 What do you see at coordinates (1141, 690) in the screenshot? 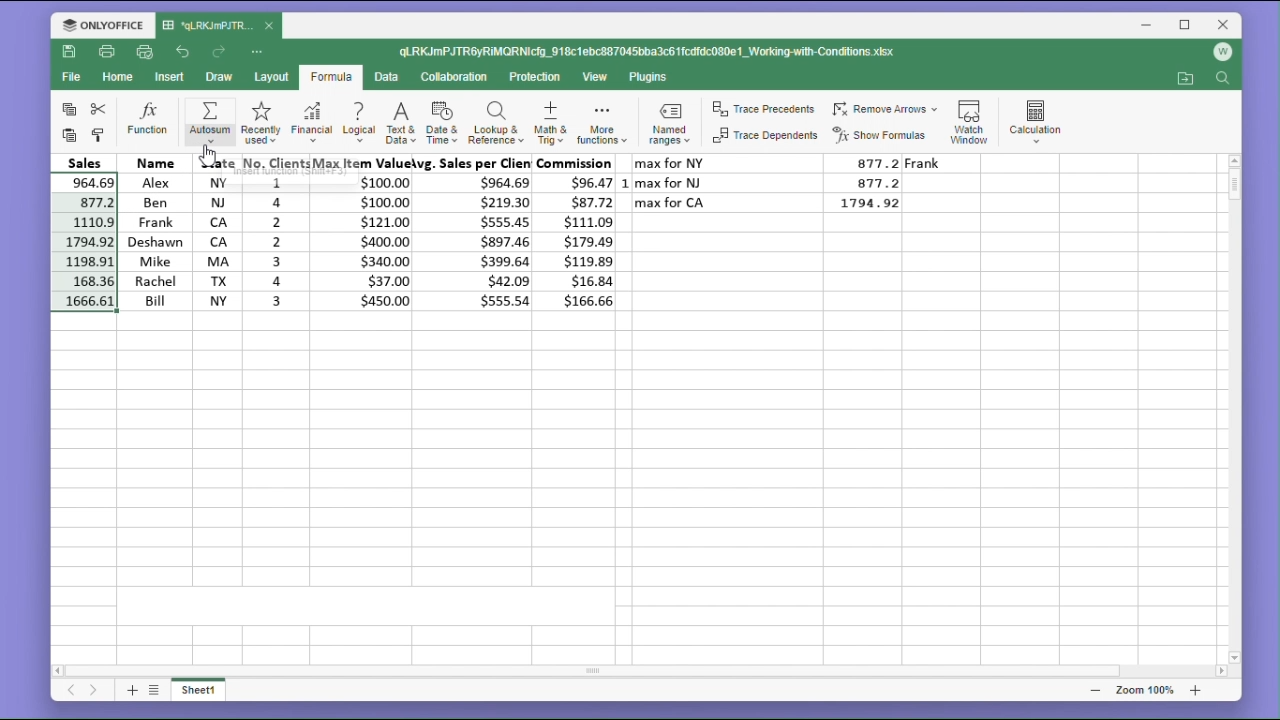
I see `zoom 100%` at bounding box center [1141, 690].